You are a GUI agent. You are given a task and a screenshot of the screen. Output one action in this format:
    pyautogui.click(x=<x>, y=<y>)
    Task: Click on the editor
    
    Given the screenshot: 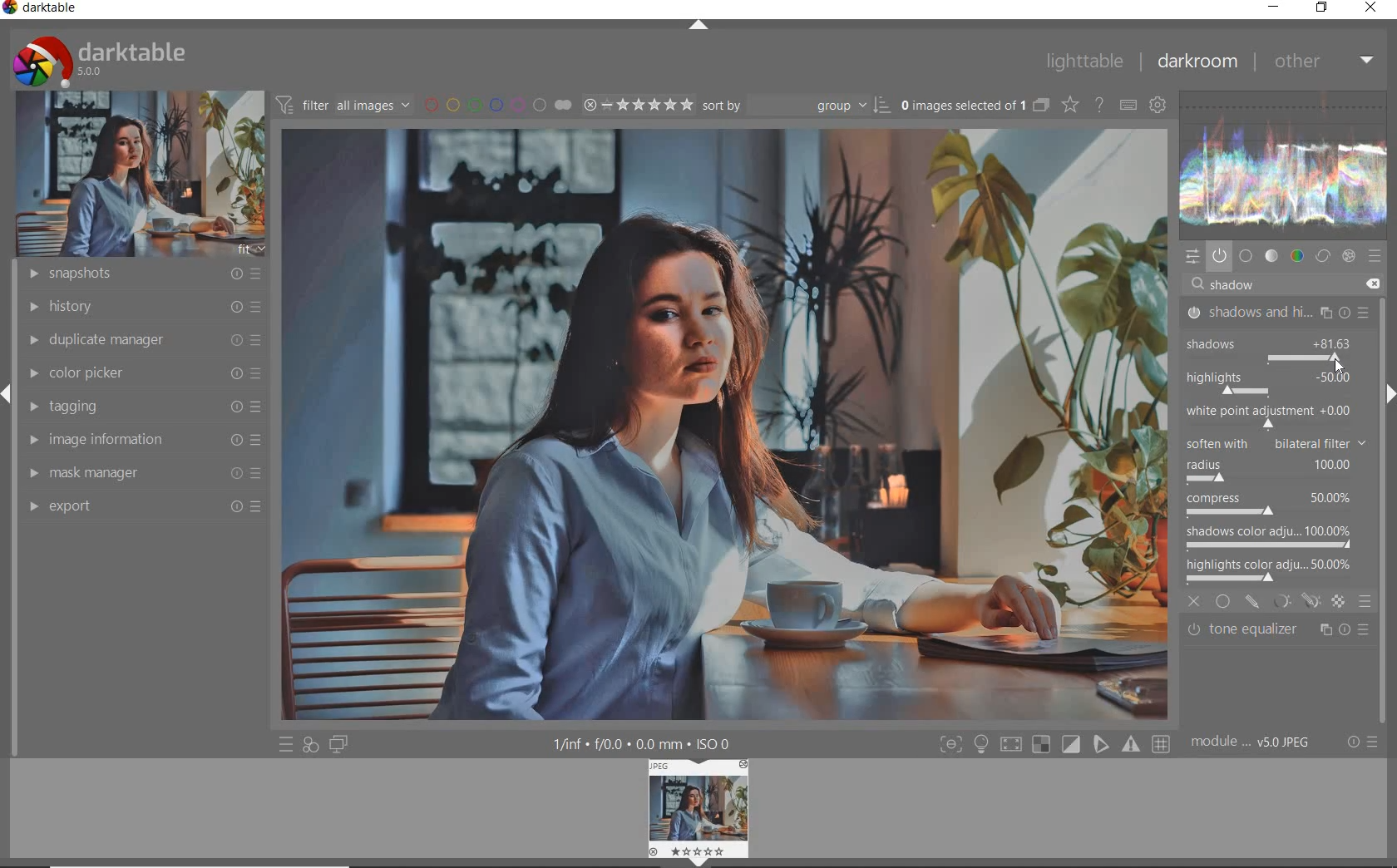 What is the action you would take?
    pyautogui.click(x=1211, y=284)
    